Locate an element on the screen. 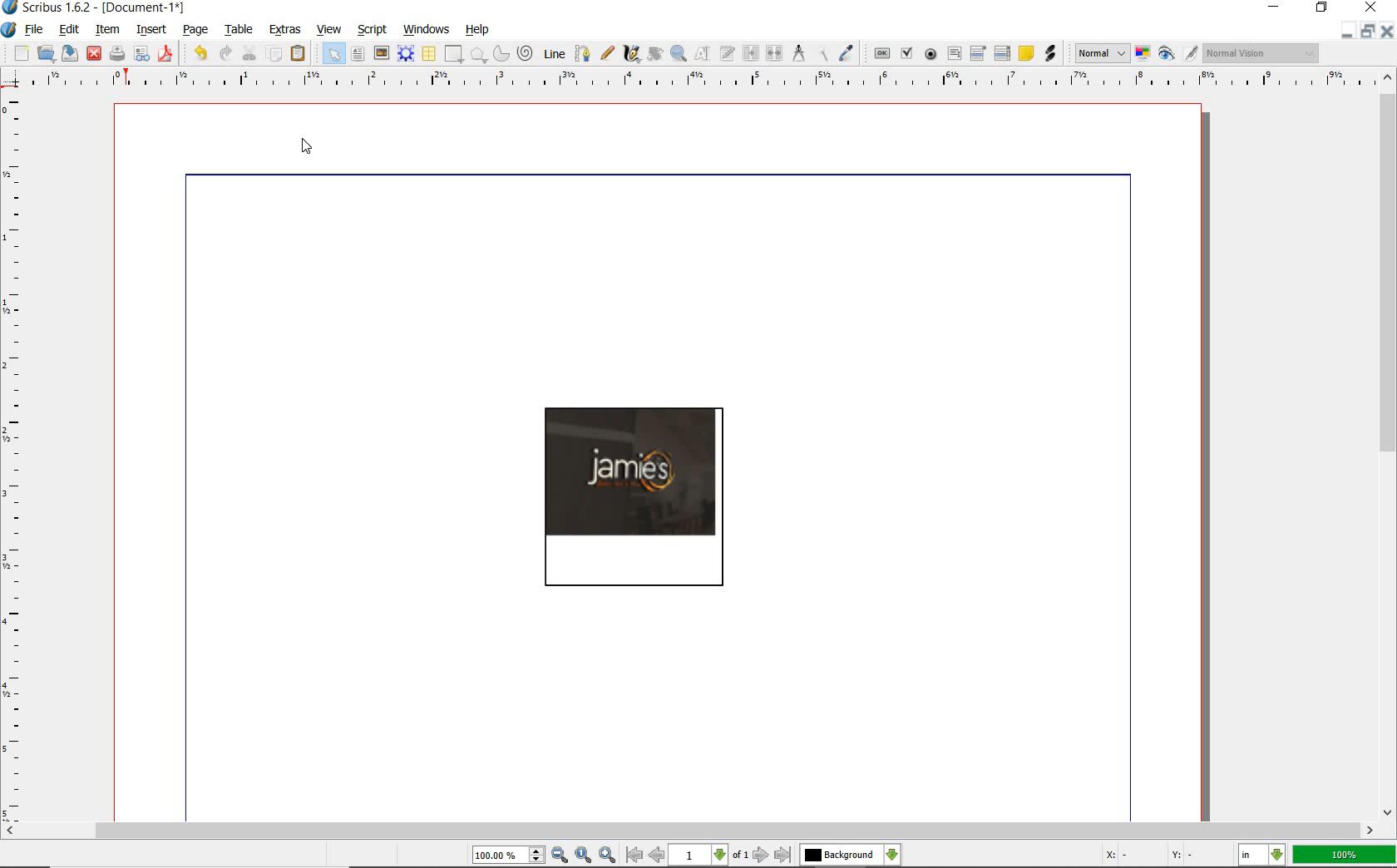 The image size is (1397, 868). open is located at coordinates (45, 52).